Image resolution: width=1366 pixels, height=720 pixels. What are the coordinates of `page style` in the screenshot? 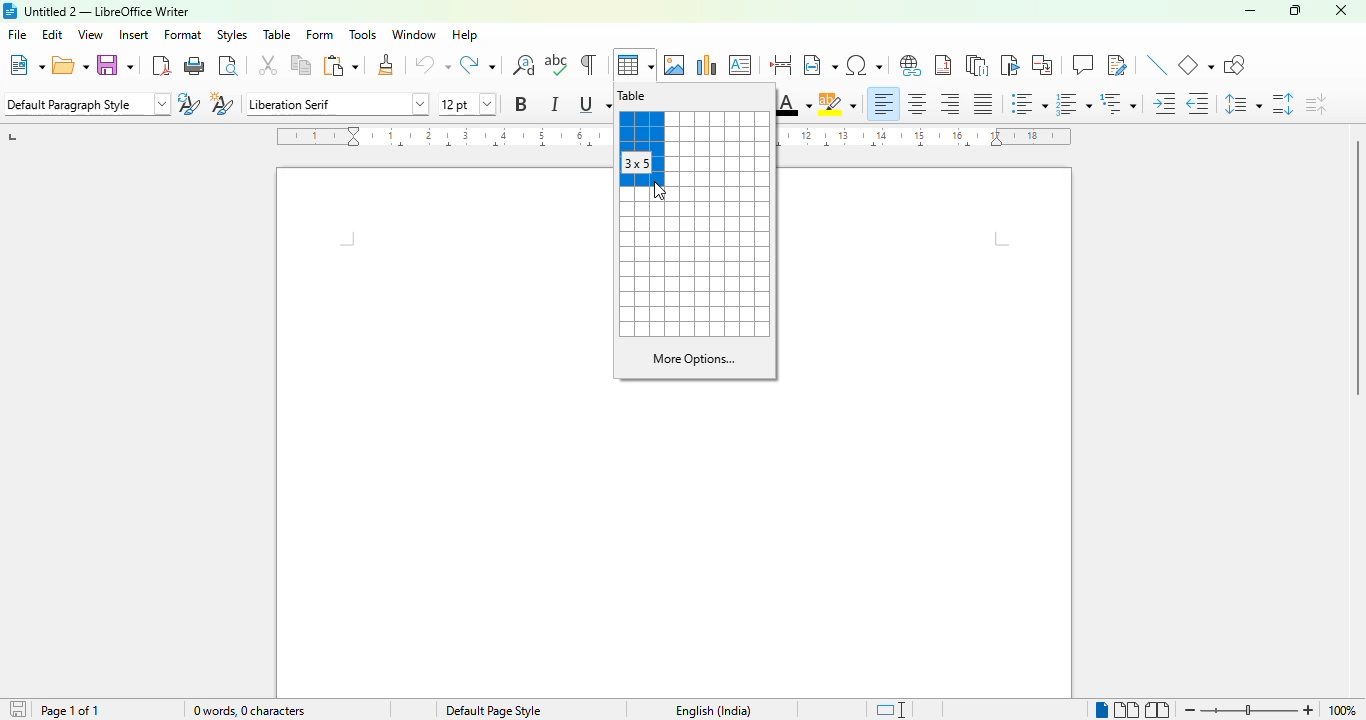 It's located at (493, 710).